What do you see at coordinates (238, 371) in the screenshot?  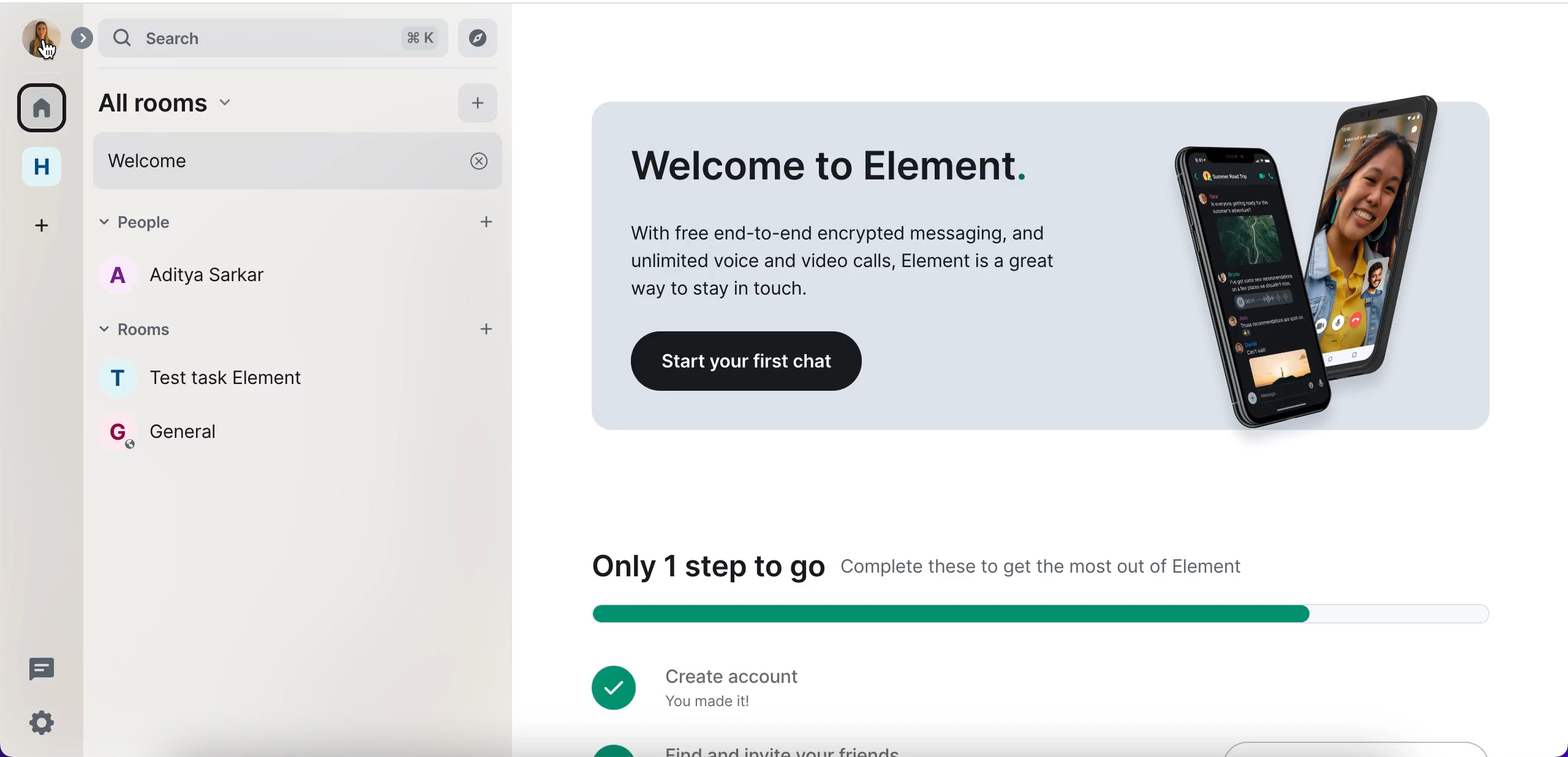 I see `rooms names` at bounding box center [238, 371].